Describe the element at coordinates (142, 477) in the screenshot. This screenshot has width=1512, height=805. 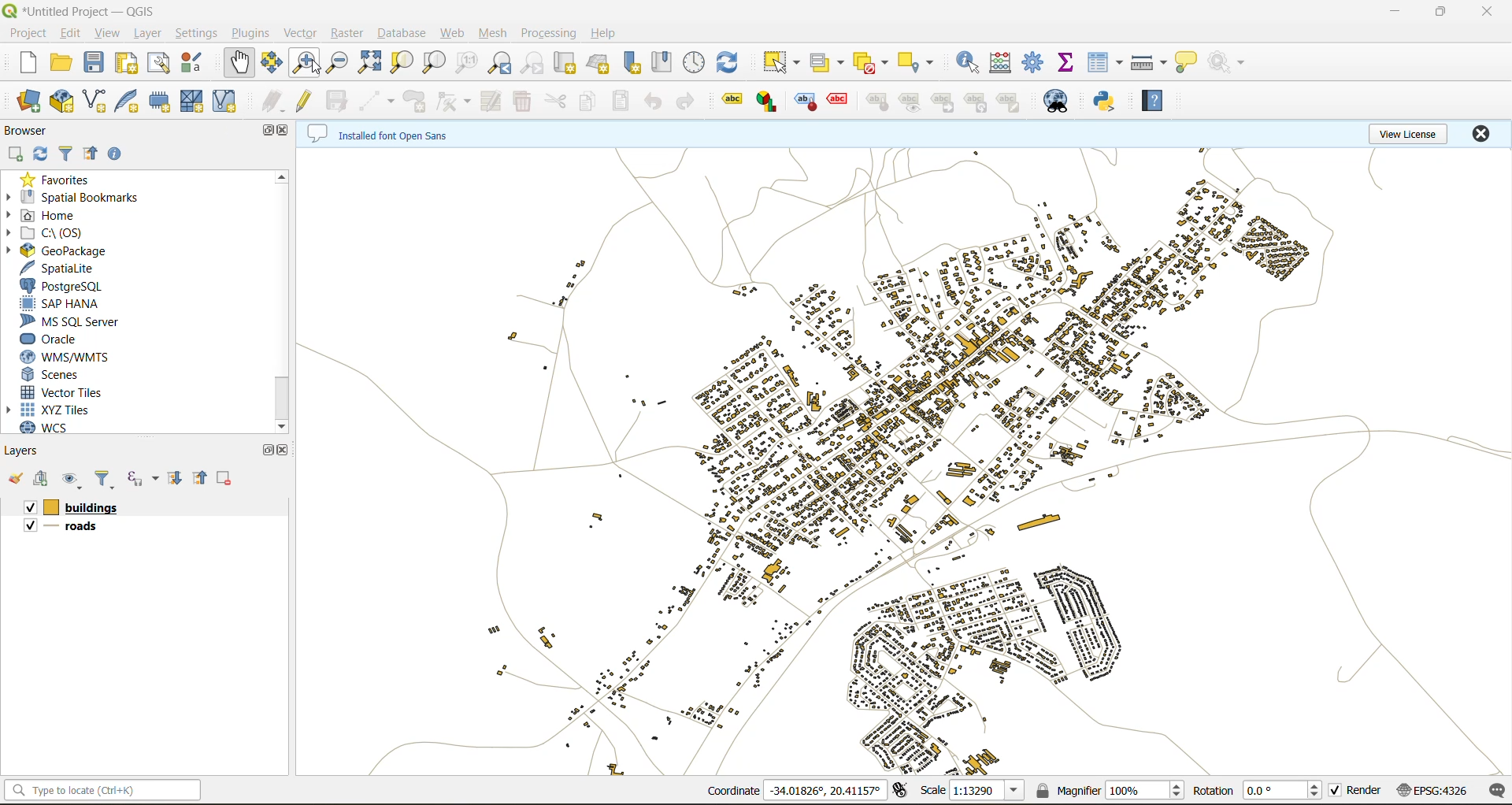
I see `filter by expression` at that location.